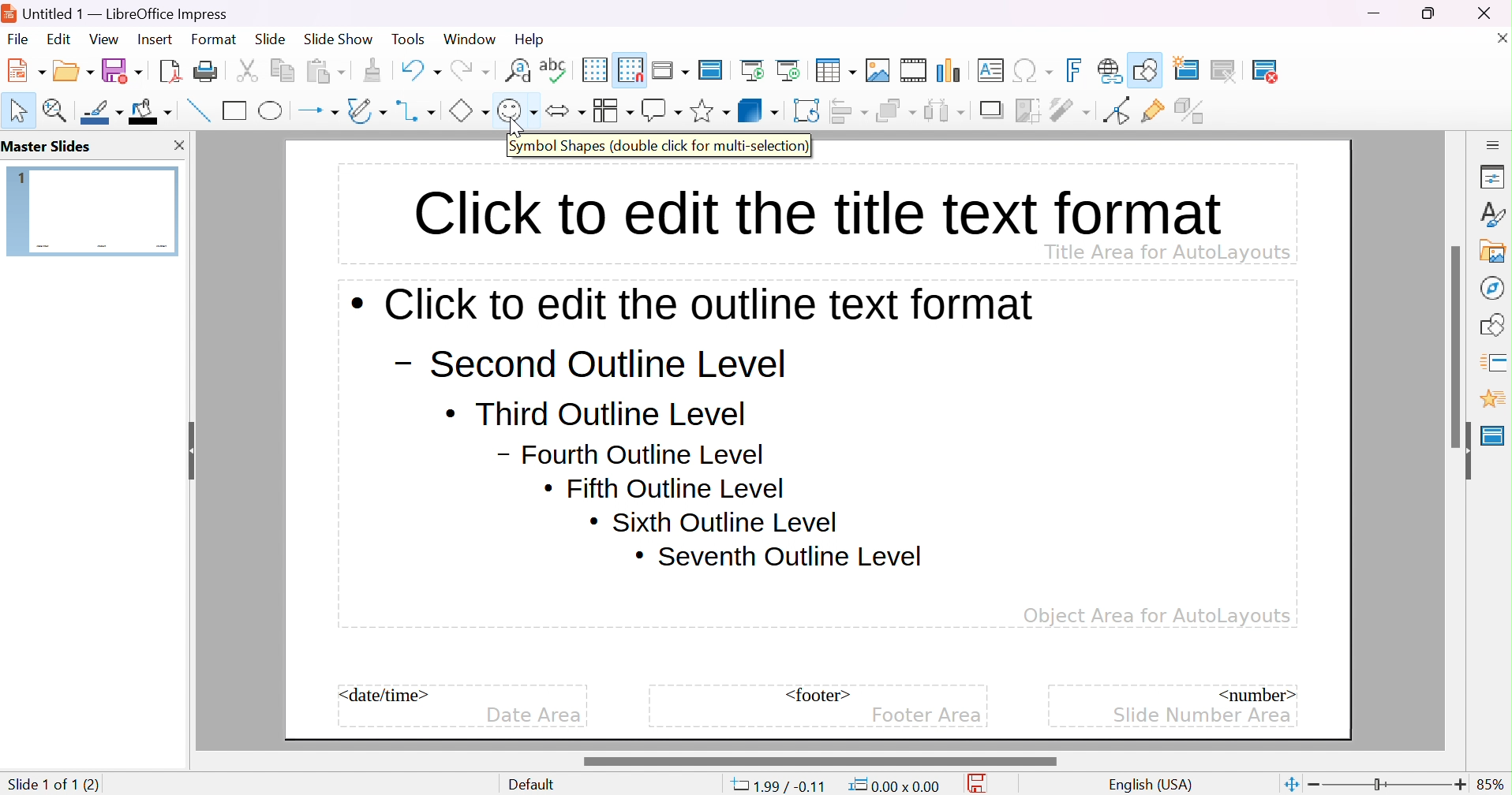  I want to click on undo, so click(419, 68).